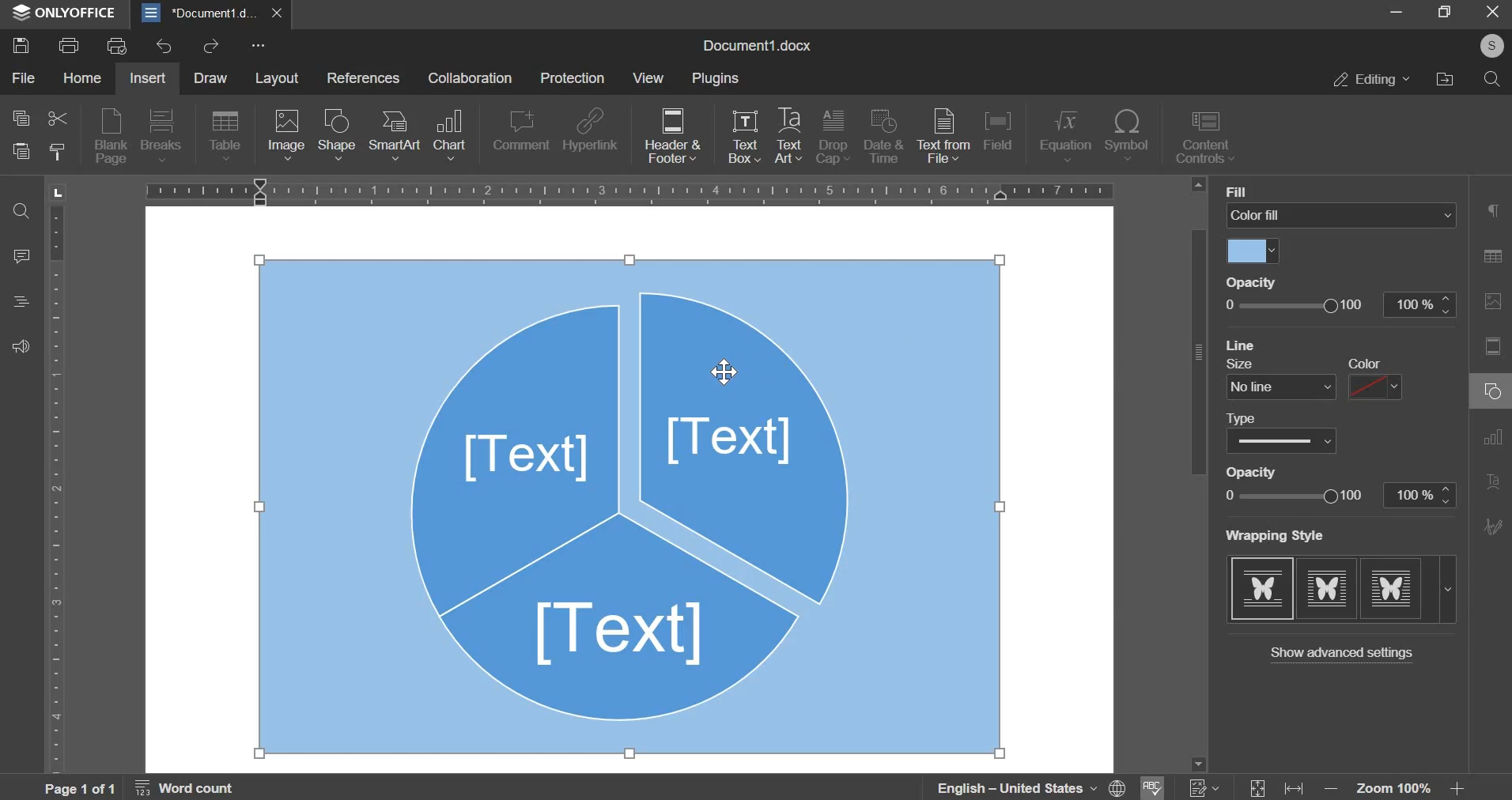  Describe the element at coordinates (450, 135) in the screenshot. I see `chart` at that location.